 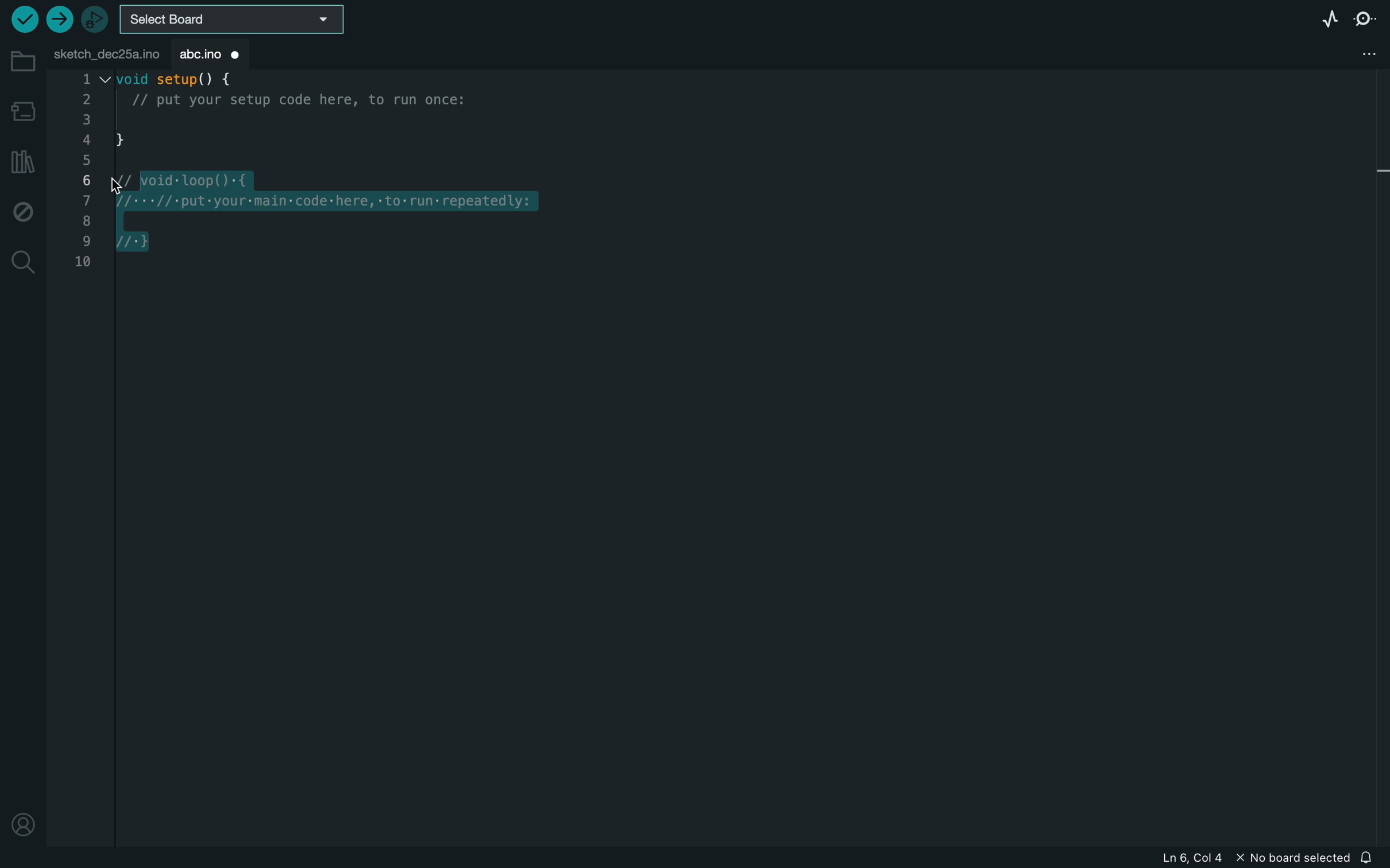 What do you see at coordinates (22, 263) in the screenshot?
I see `search` at bounding box center [22, 263].